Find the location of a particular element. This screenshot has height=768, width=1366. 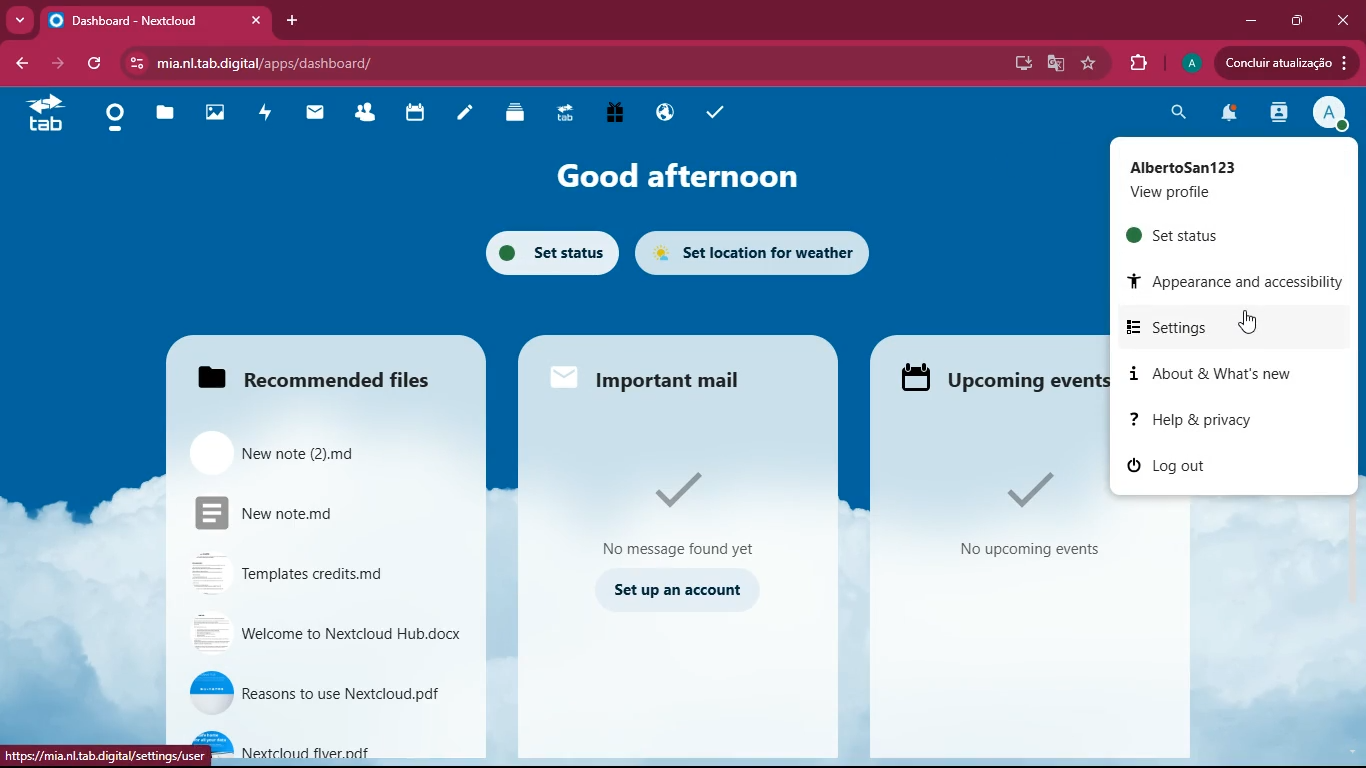

appearance is located at coordinates (1236, 281).